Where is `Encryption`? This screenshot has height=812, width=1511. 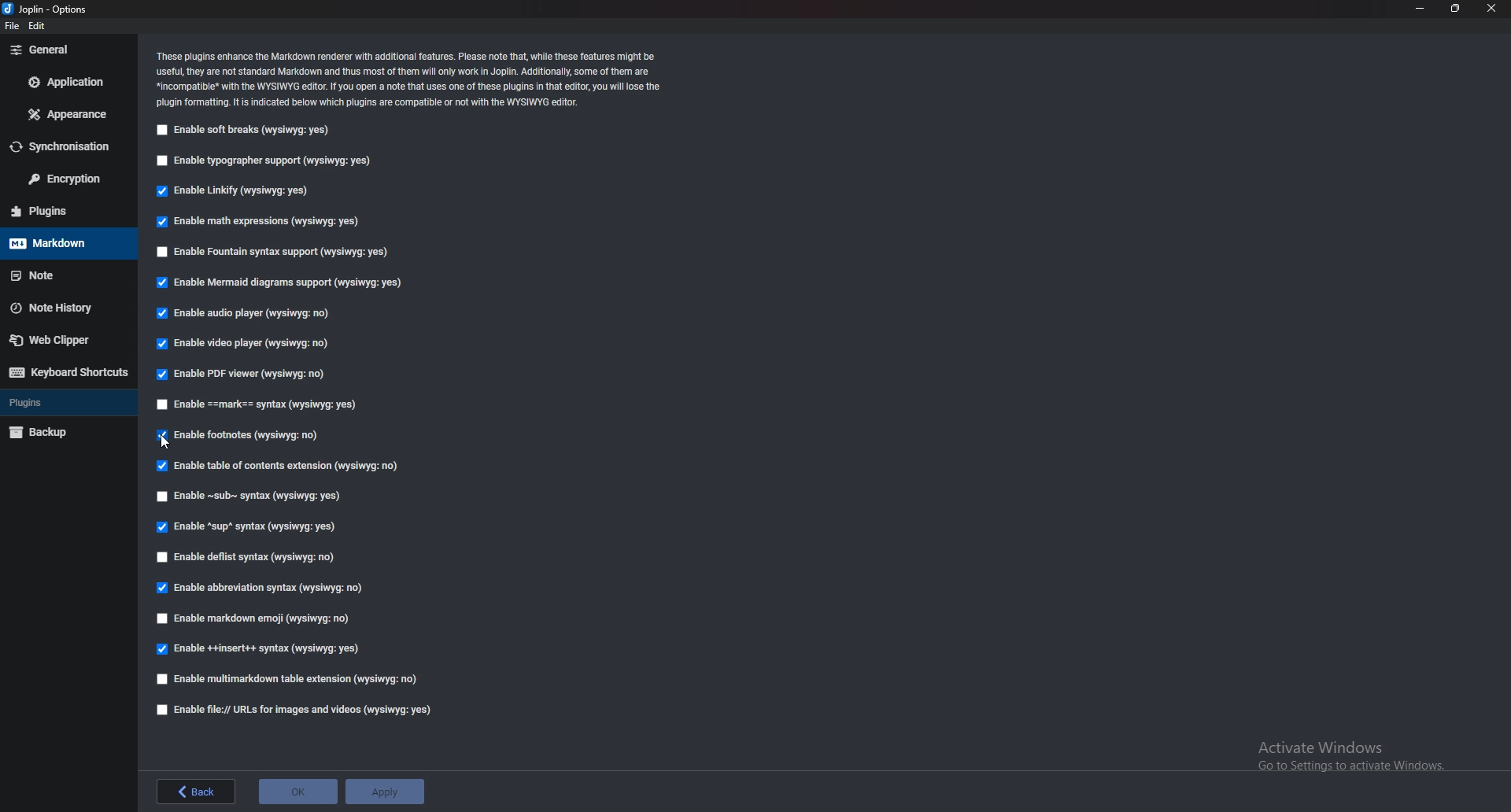 Encryption is located at coordinates (65, 179).